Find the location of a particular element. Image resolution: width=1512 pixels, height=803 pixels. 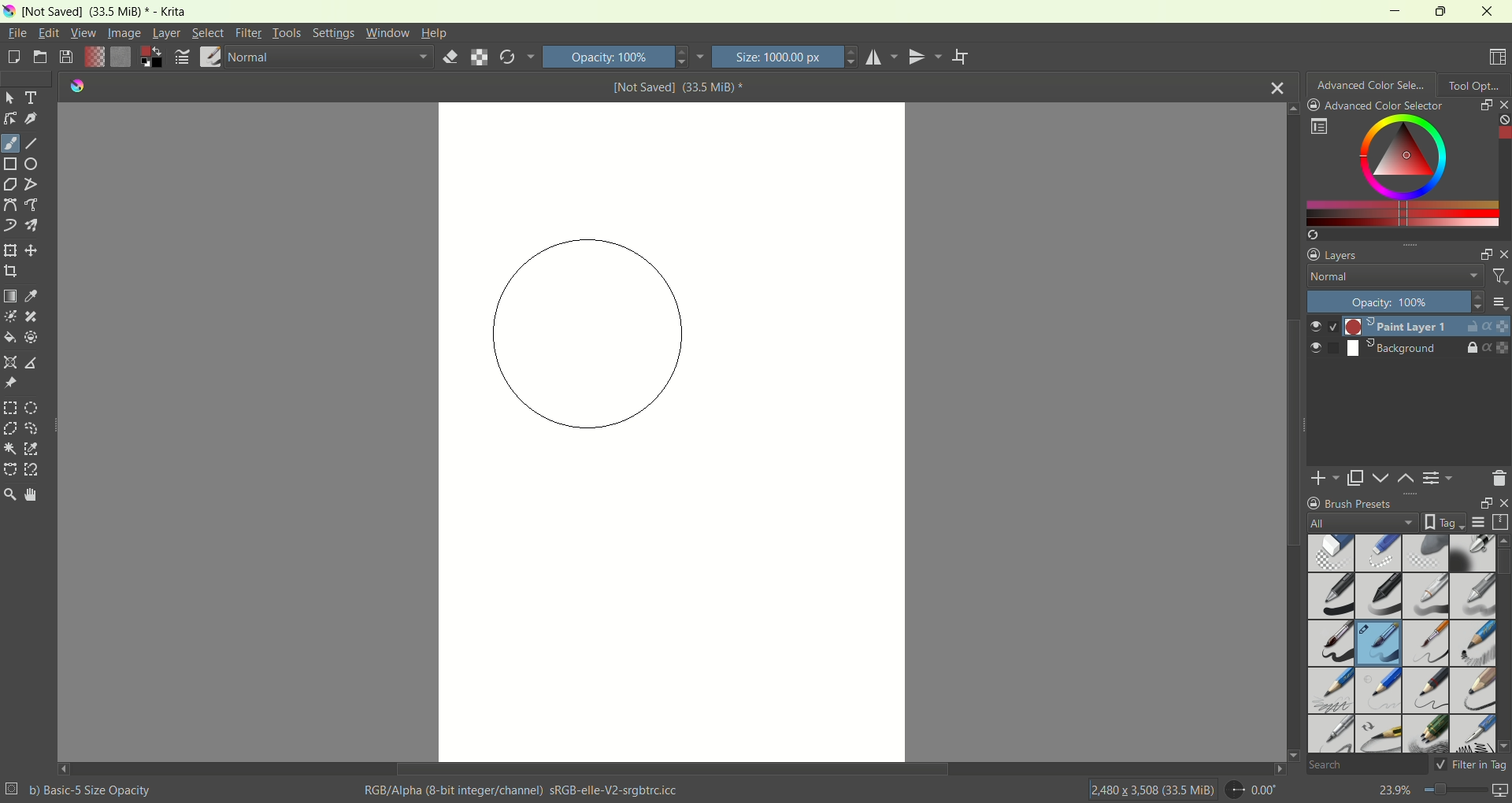

basic 1 is located at coordinates (1333, 595).